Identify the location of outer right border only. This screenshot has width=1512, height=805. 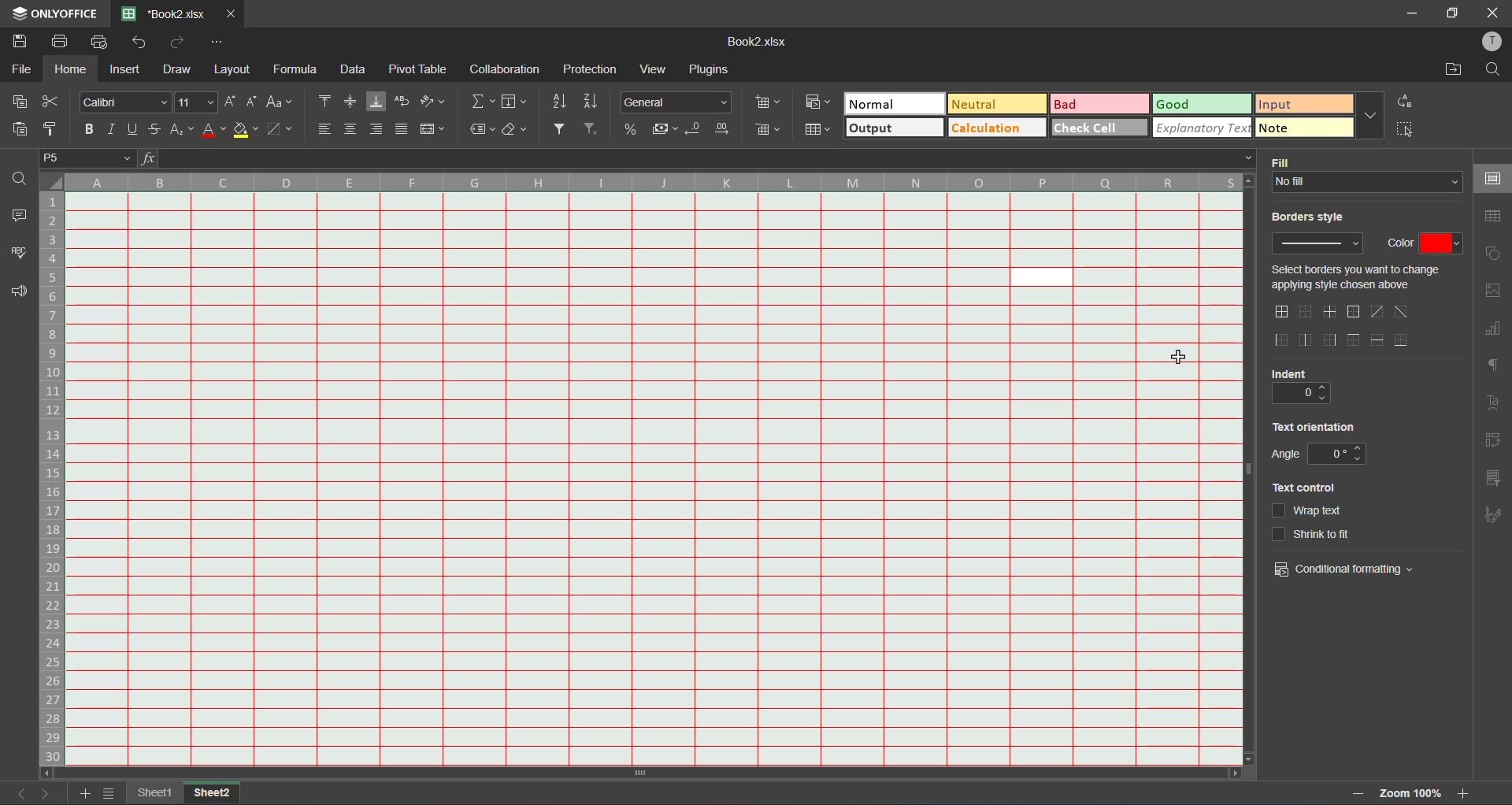
(1334, 340).